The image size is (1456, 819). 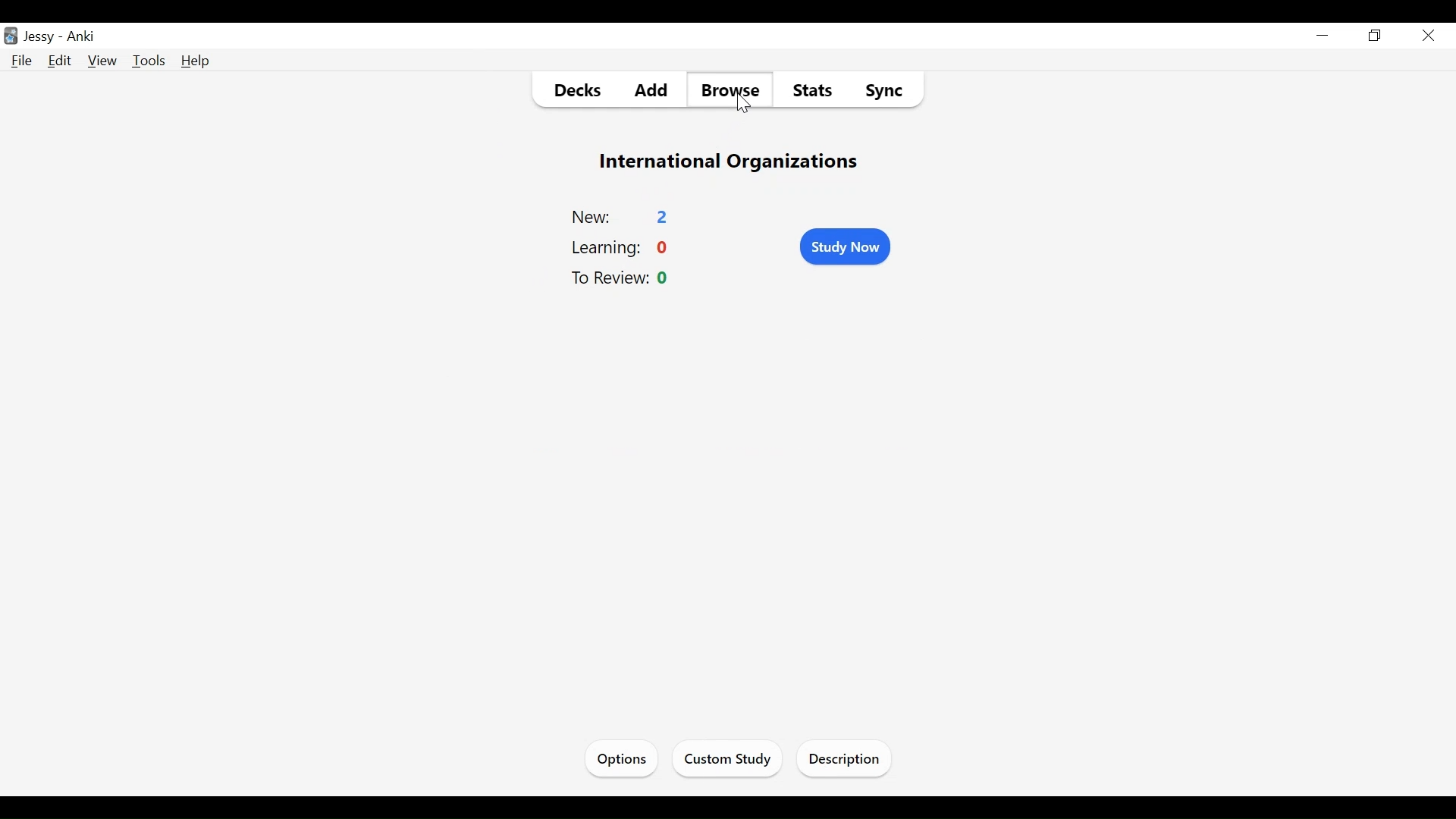 What do you see at coordinates (811, 93) in the screenshot?
I see `Stats` at bounding box center [811, 93].